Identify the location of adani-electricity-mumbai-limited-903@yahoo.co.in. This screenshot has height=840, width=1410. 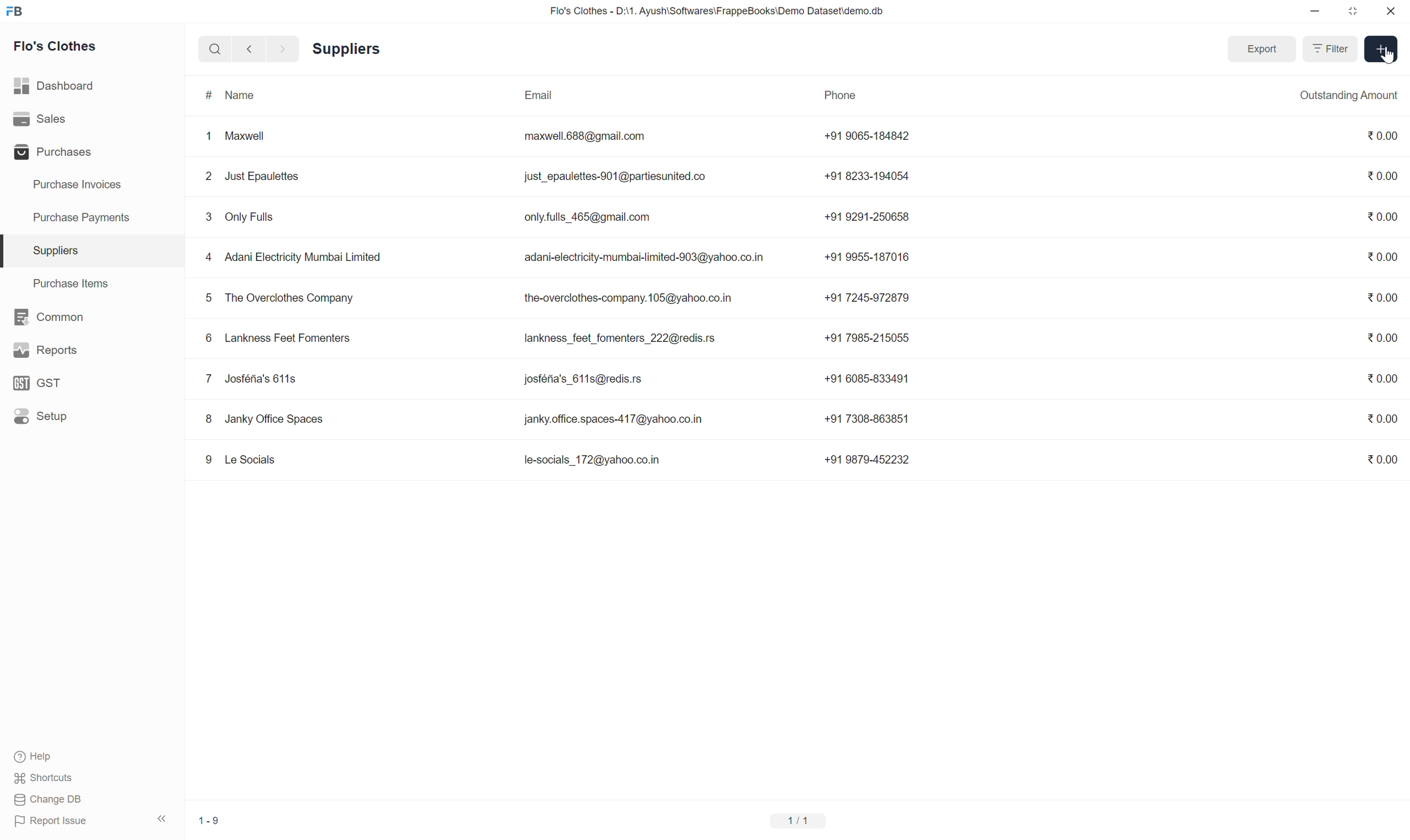
(644, 257).